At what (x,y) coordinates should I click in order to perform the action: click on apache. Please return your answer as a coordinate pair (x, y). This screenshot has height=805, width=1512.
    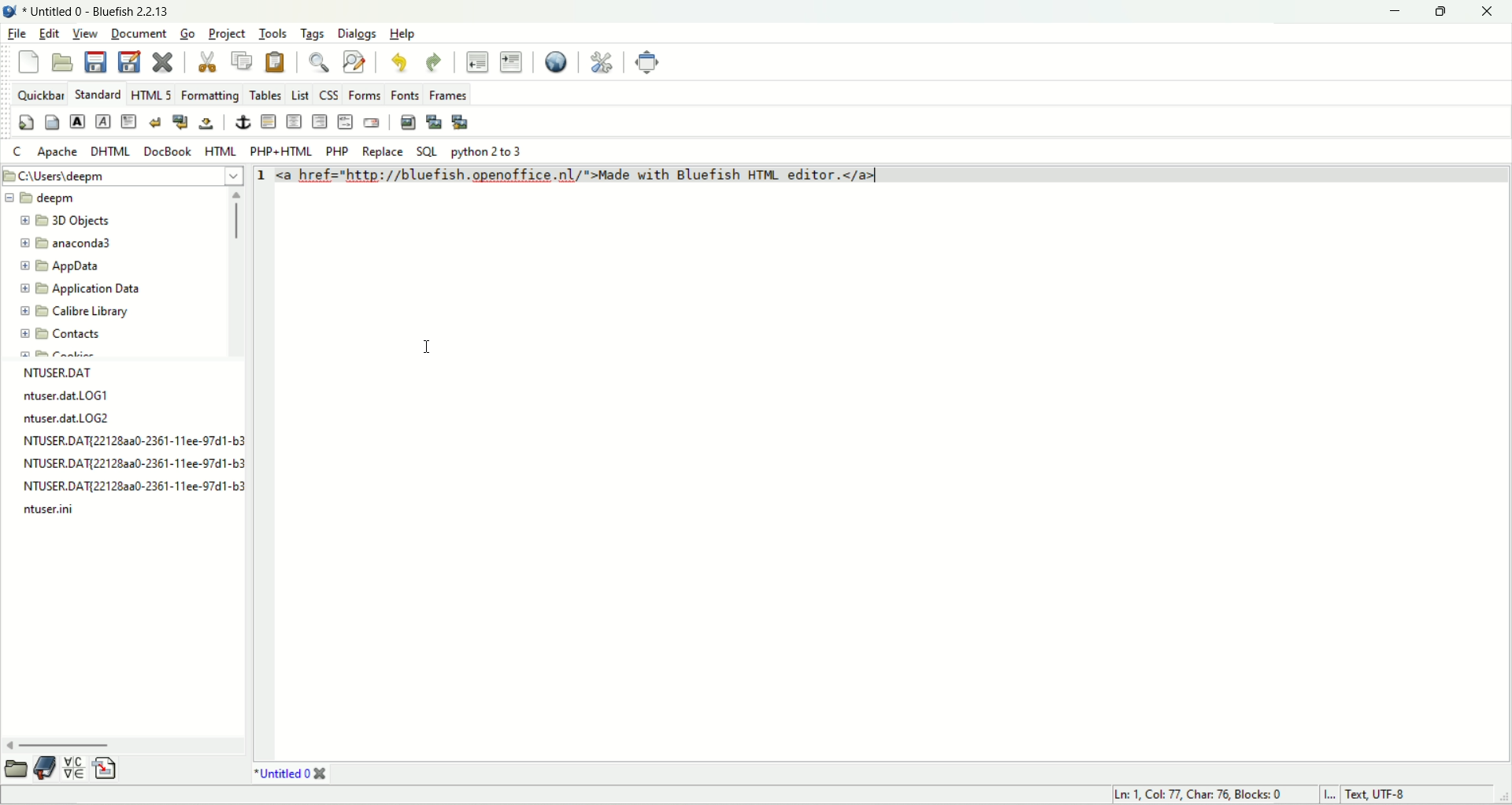
    Looking at the image, I should click on (57, 154).